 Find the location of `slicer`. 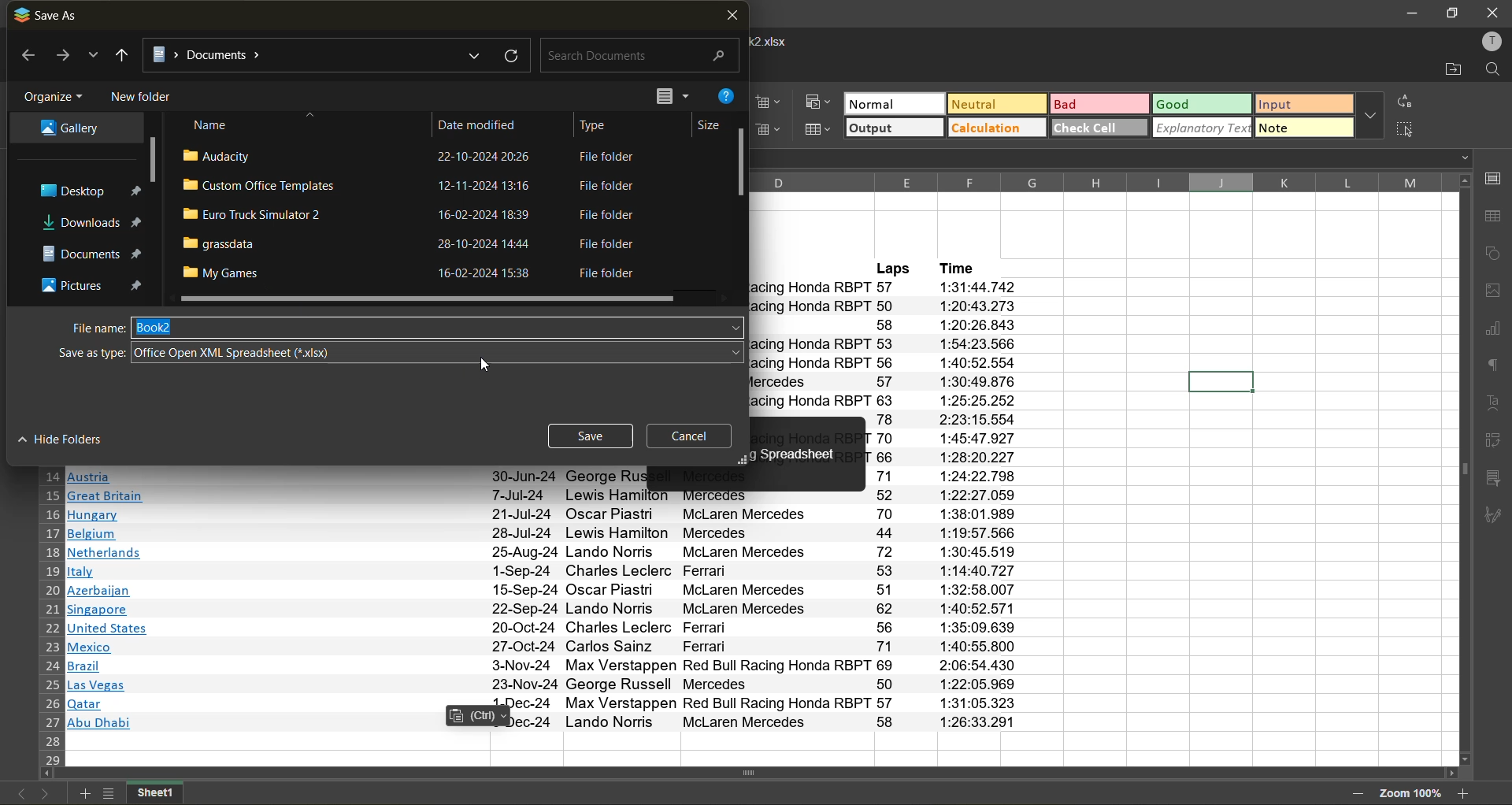

slicer is located at coordinates (1495, 479).